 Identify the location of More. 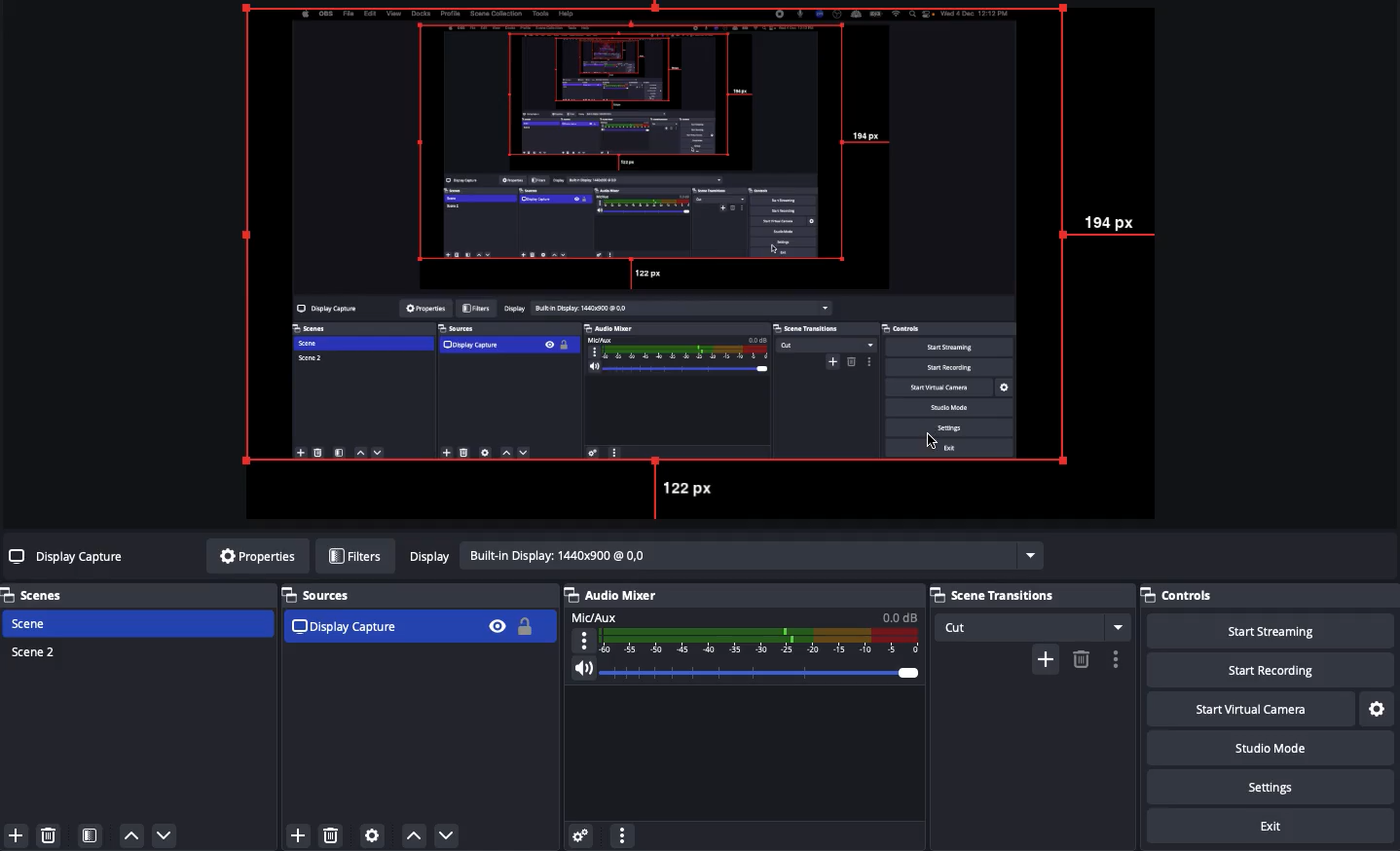
(1116, 659).